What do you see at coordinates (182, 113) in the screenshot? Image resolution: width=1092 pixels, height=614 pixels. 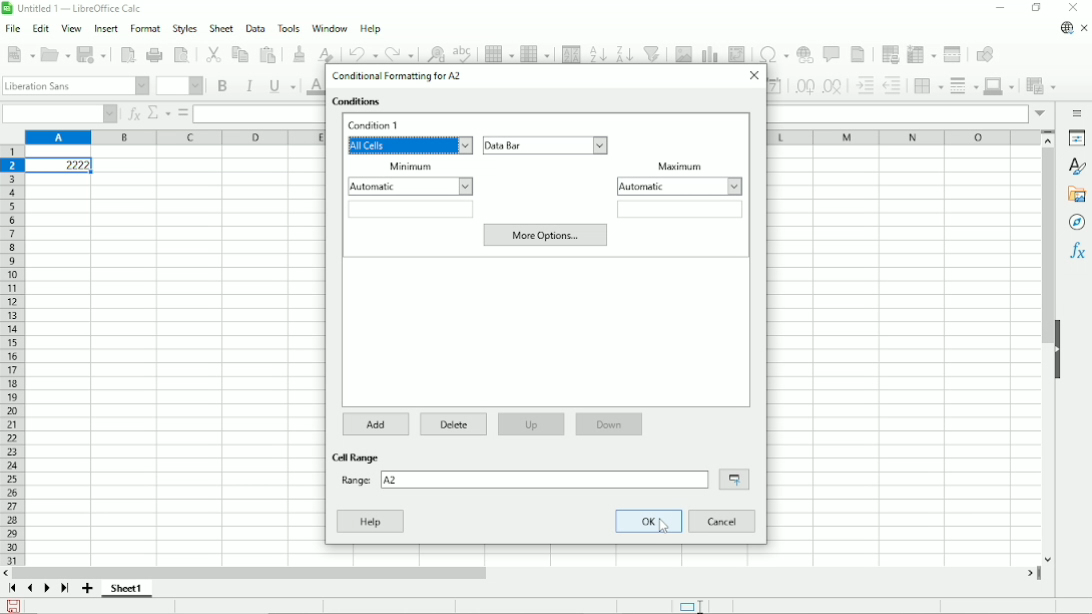 I see `Formula` at bounding box center [182, 113].